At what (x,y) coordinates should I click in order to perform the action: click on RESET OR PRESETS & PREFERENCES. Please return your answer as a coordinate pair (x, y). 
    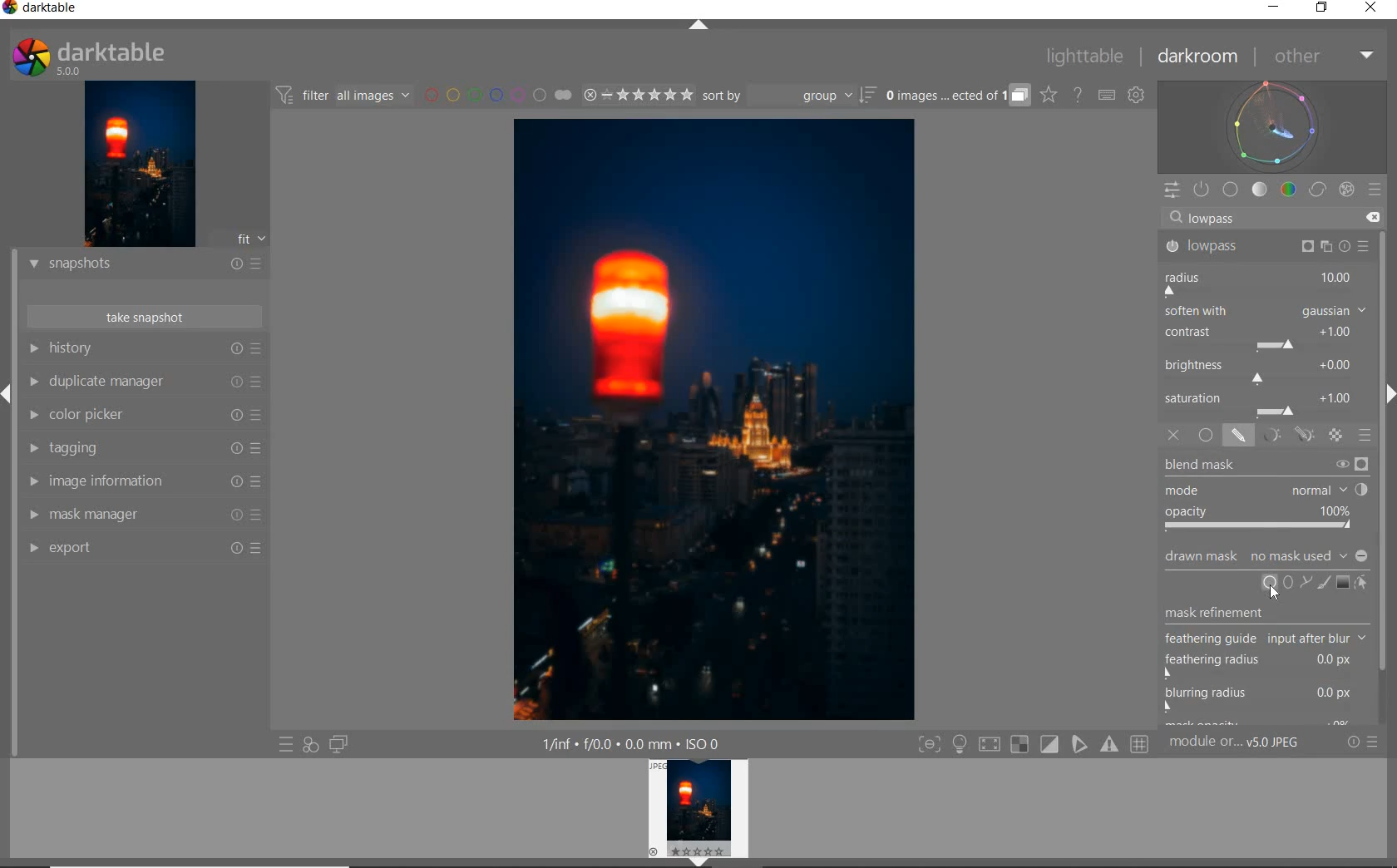
    Looking at the image, I should click on (1369, 742).